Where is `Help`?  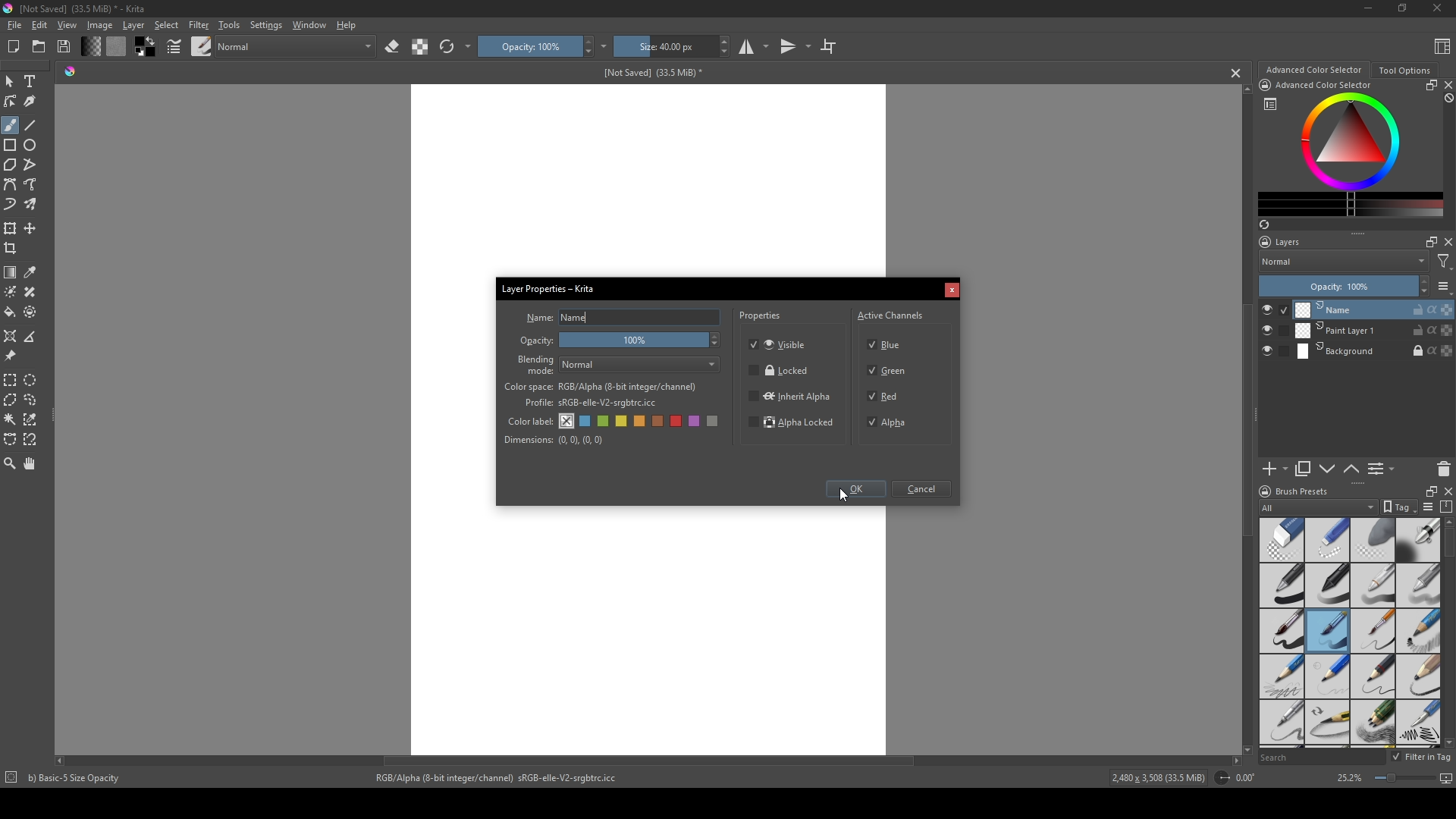 Help is located at coordinates (347, 24).